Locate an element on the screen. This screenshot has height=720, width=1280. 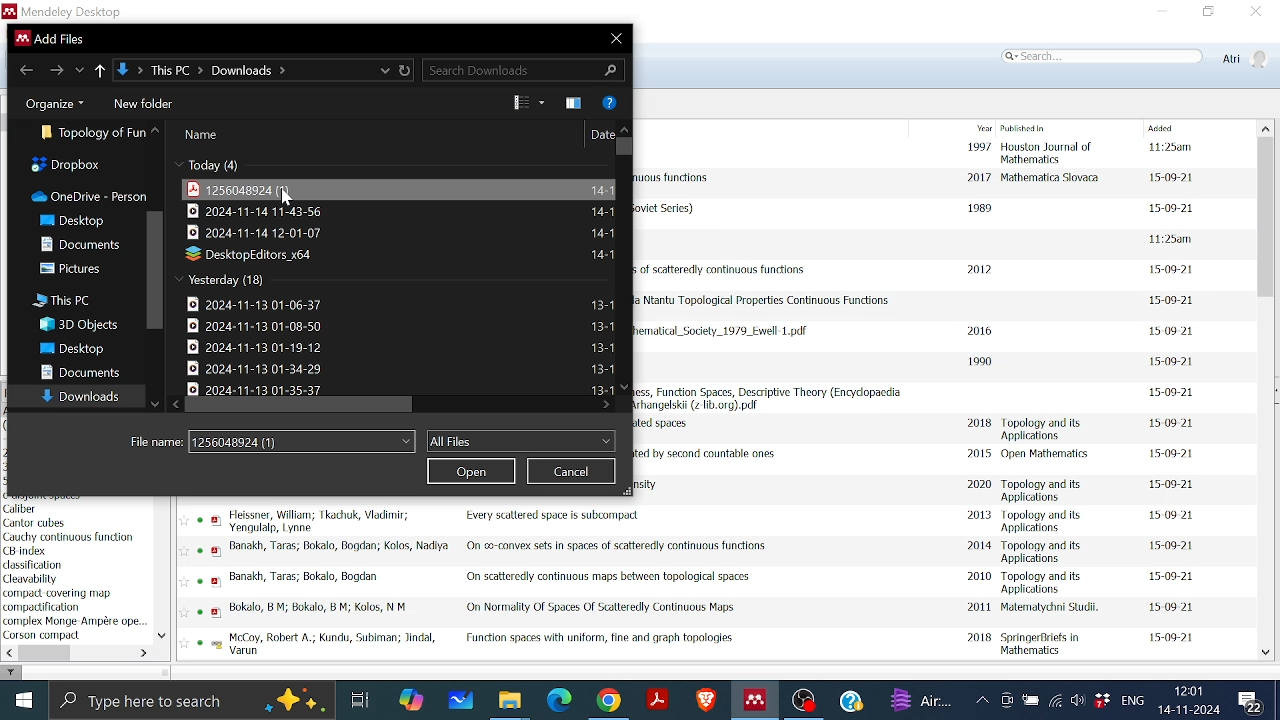
Move down in filter by author keywords is located at coordinates (159, 636).